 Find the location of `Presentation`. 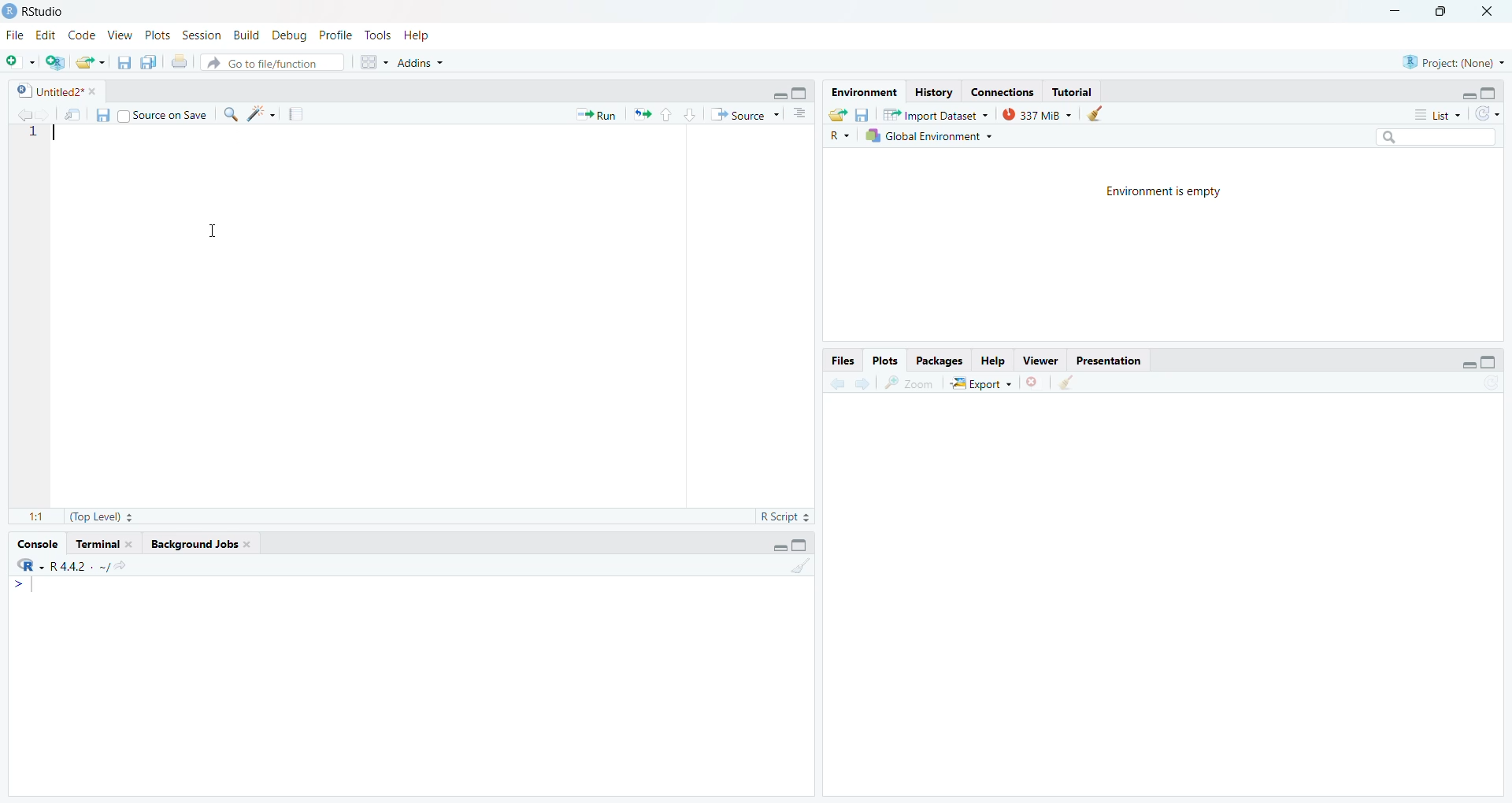

Presentation is located at coordinates (1114, 362).